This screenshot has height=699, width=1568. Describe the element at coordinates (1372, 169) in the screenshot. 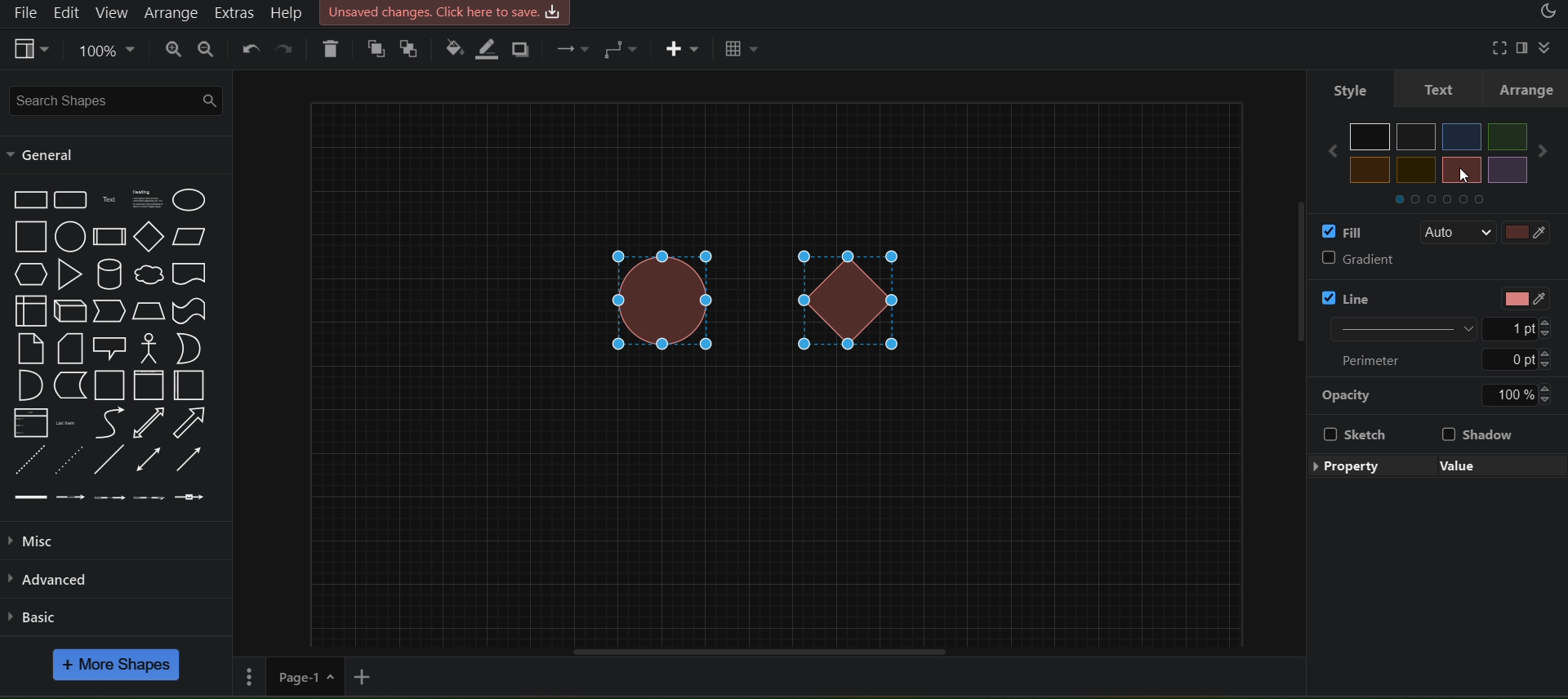

I see `` at that location.